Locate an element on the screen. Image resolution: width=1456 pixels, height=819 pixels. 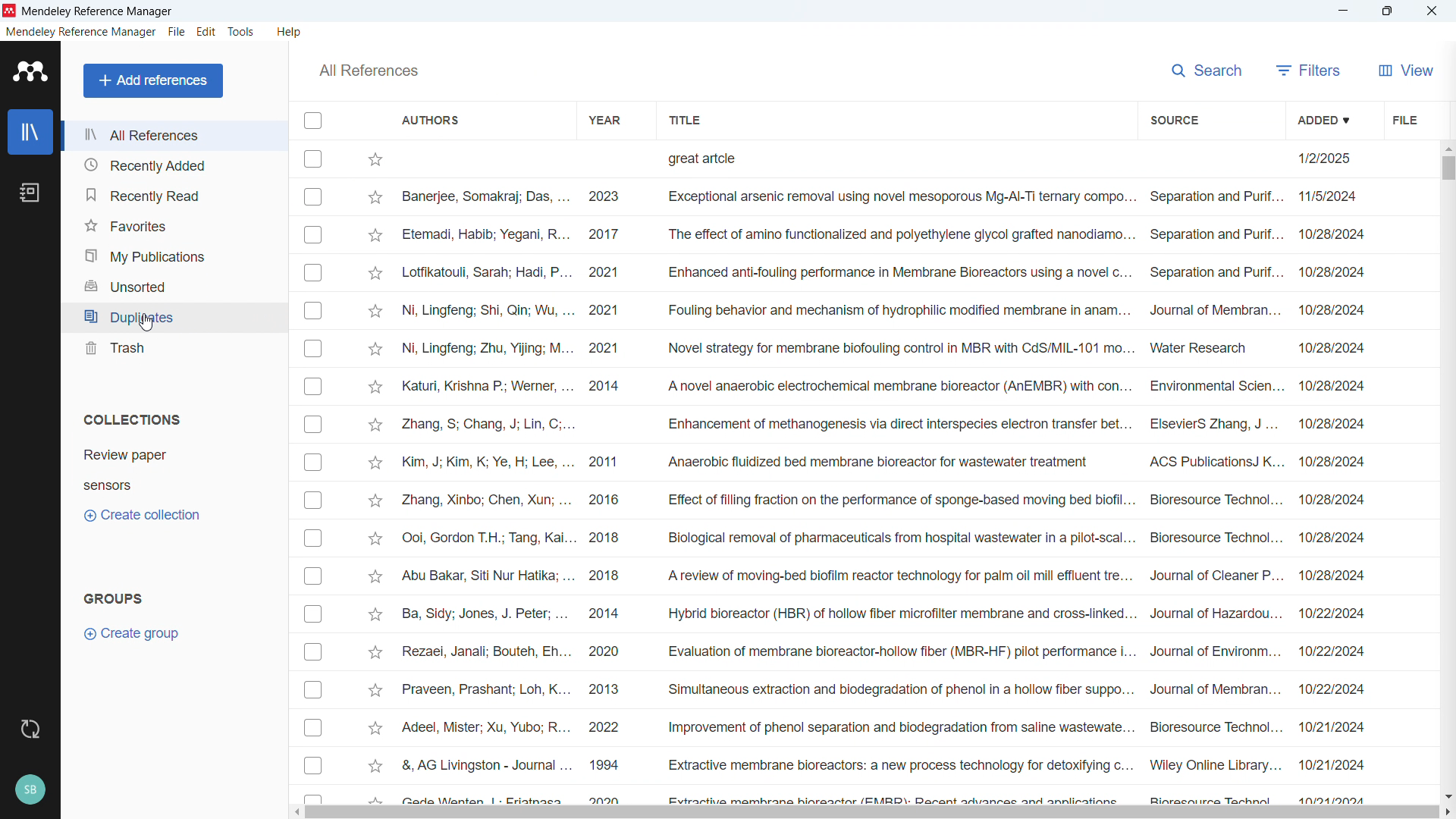
view  is located at coordinates (1406, 70).